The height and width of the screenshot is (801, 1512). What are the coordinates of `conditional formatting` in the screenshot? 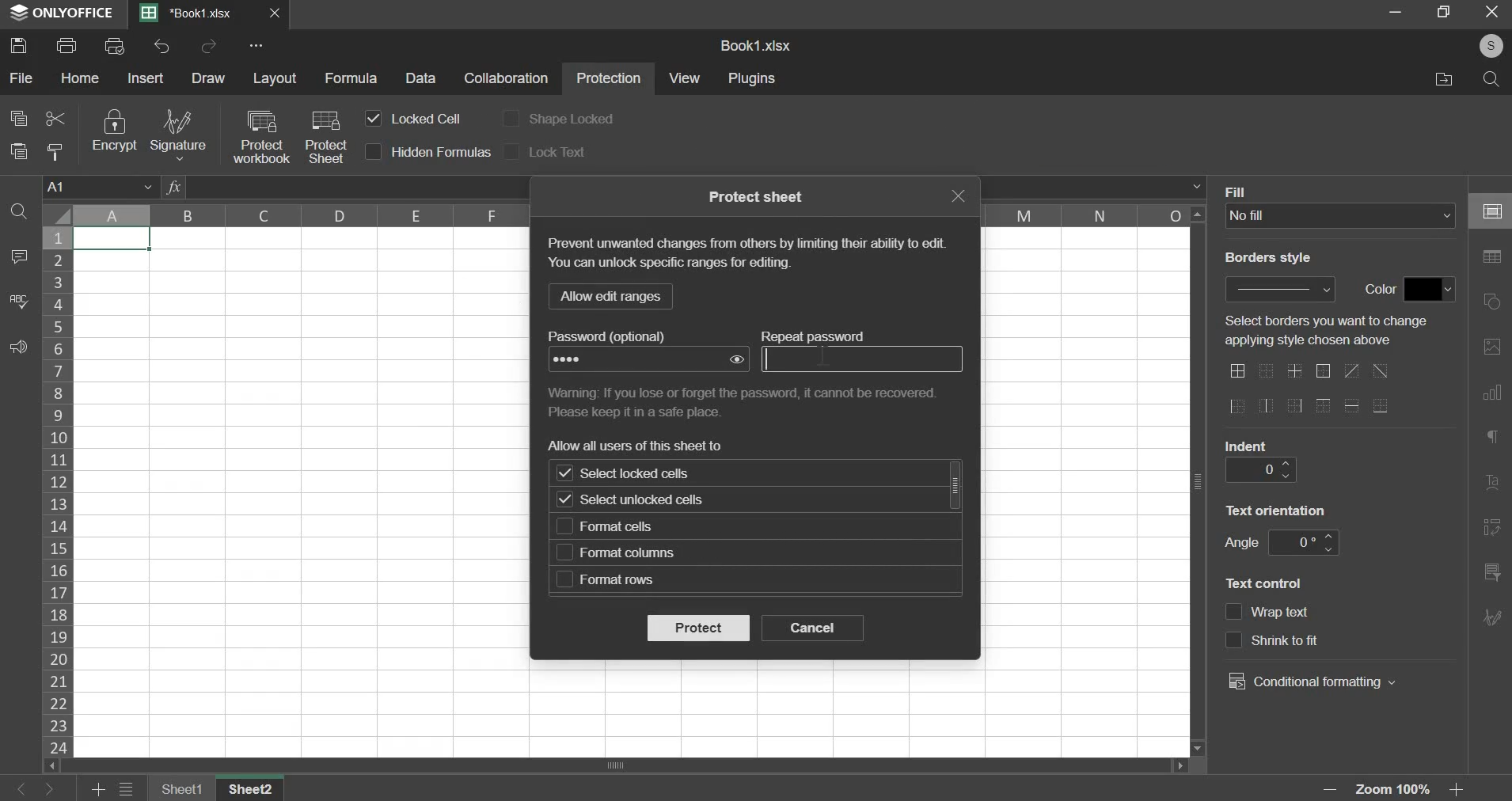 It's located at (1311, 681).